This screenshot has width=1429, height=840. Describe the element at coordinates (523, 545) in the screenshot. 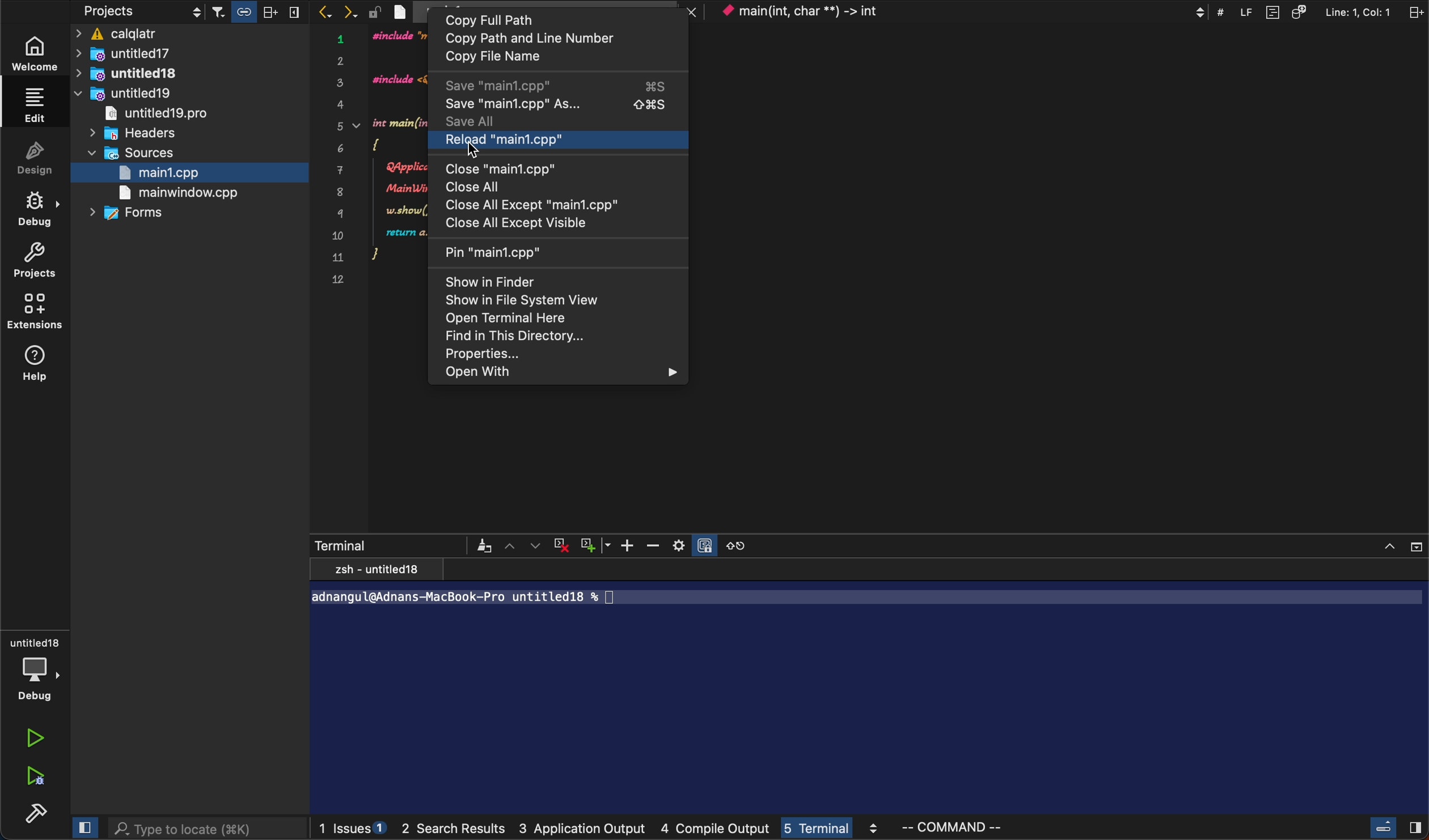

I see `arrows` at that location.